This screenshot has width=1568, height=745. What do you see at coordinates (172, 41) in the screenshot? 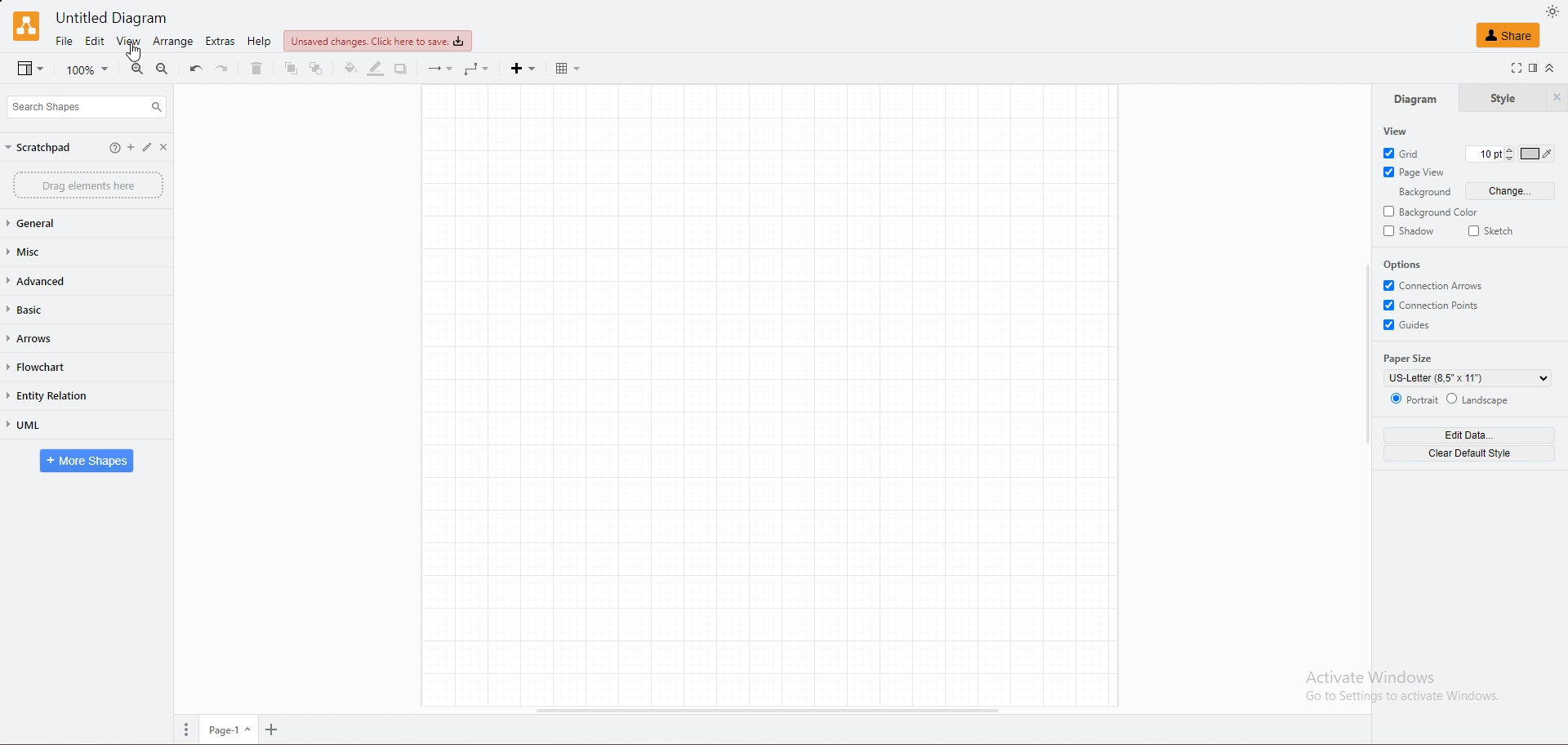
I see `arrange` at bounding box center [172, 41].